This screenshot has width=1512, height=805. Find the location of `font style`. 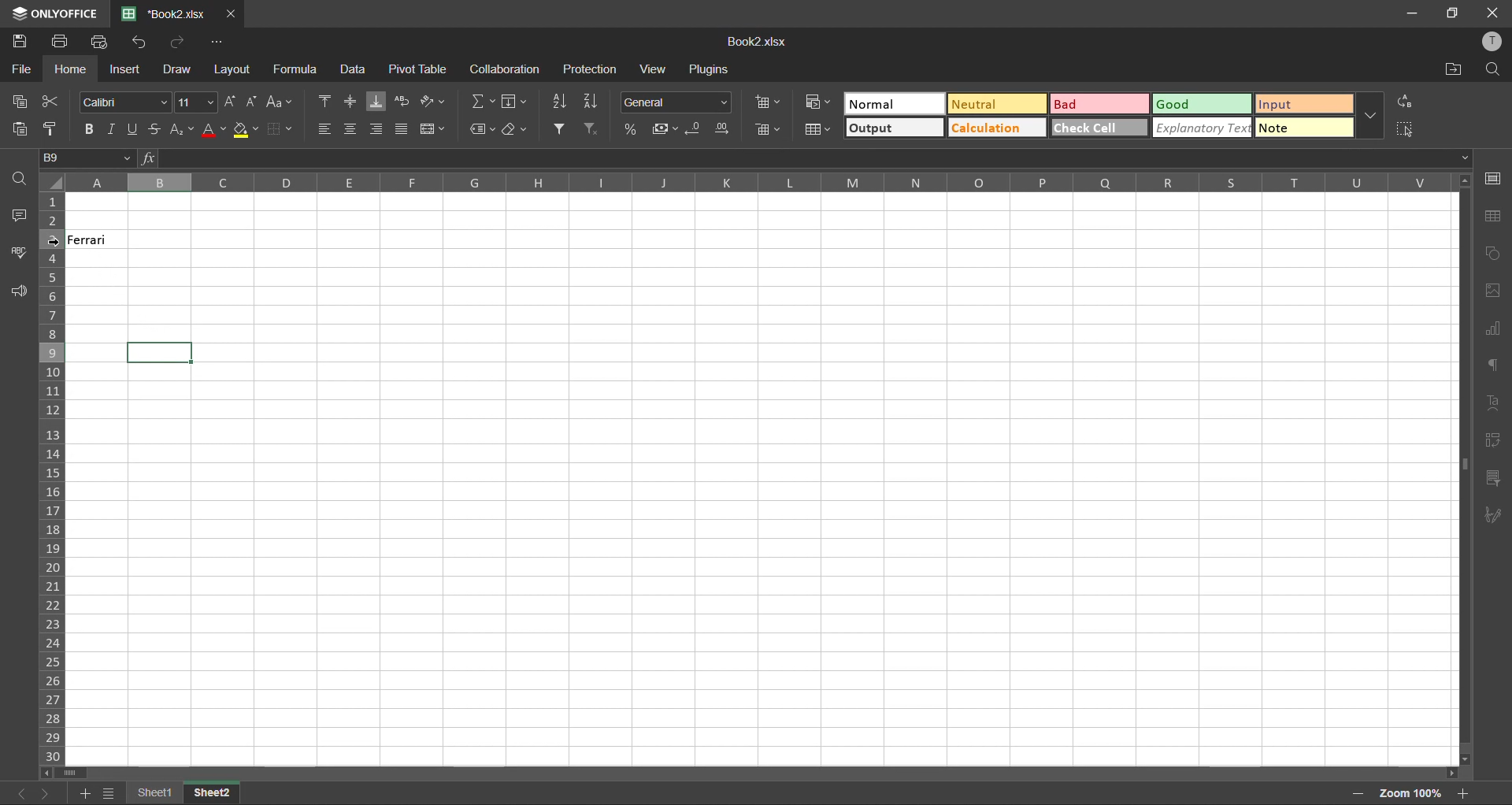

font style is located at coordinates (127, 102).